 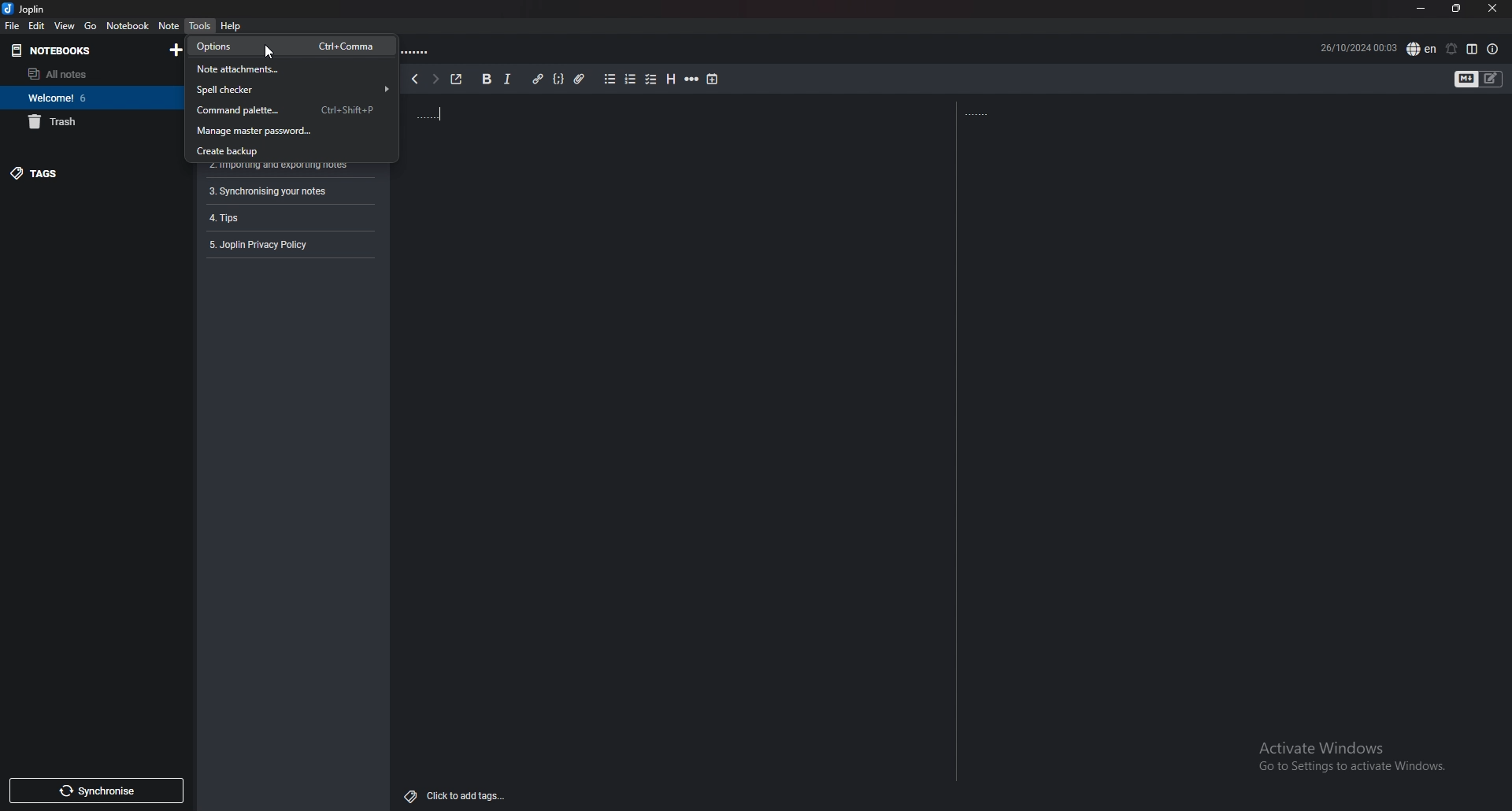 What do you see at coordinates (435, 80) in the screenshot?
I see `forward` at bounding box center [435, 80].